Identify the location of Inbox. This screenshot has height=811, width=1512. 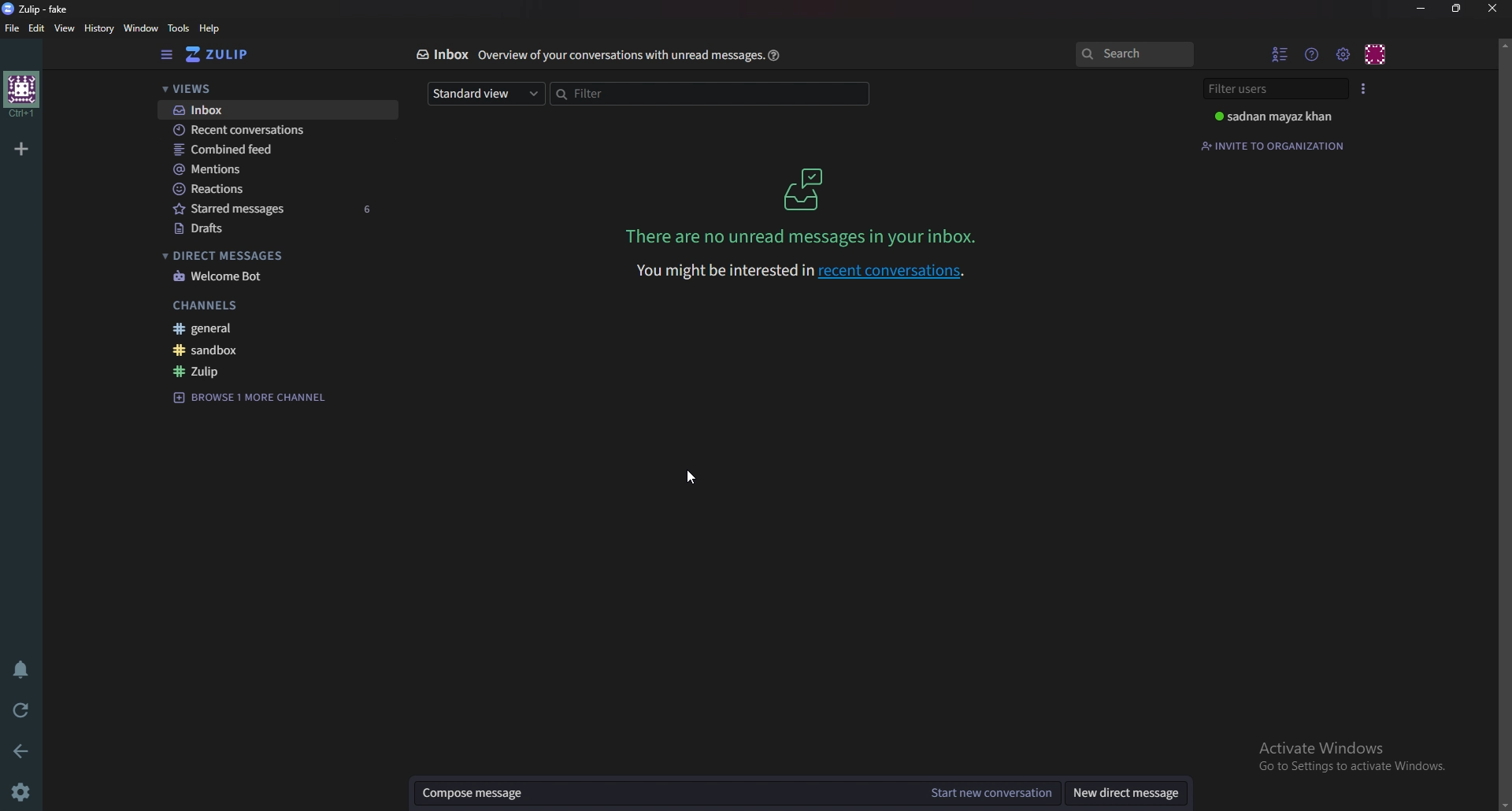
(272, 111).